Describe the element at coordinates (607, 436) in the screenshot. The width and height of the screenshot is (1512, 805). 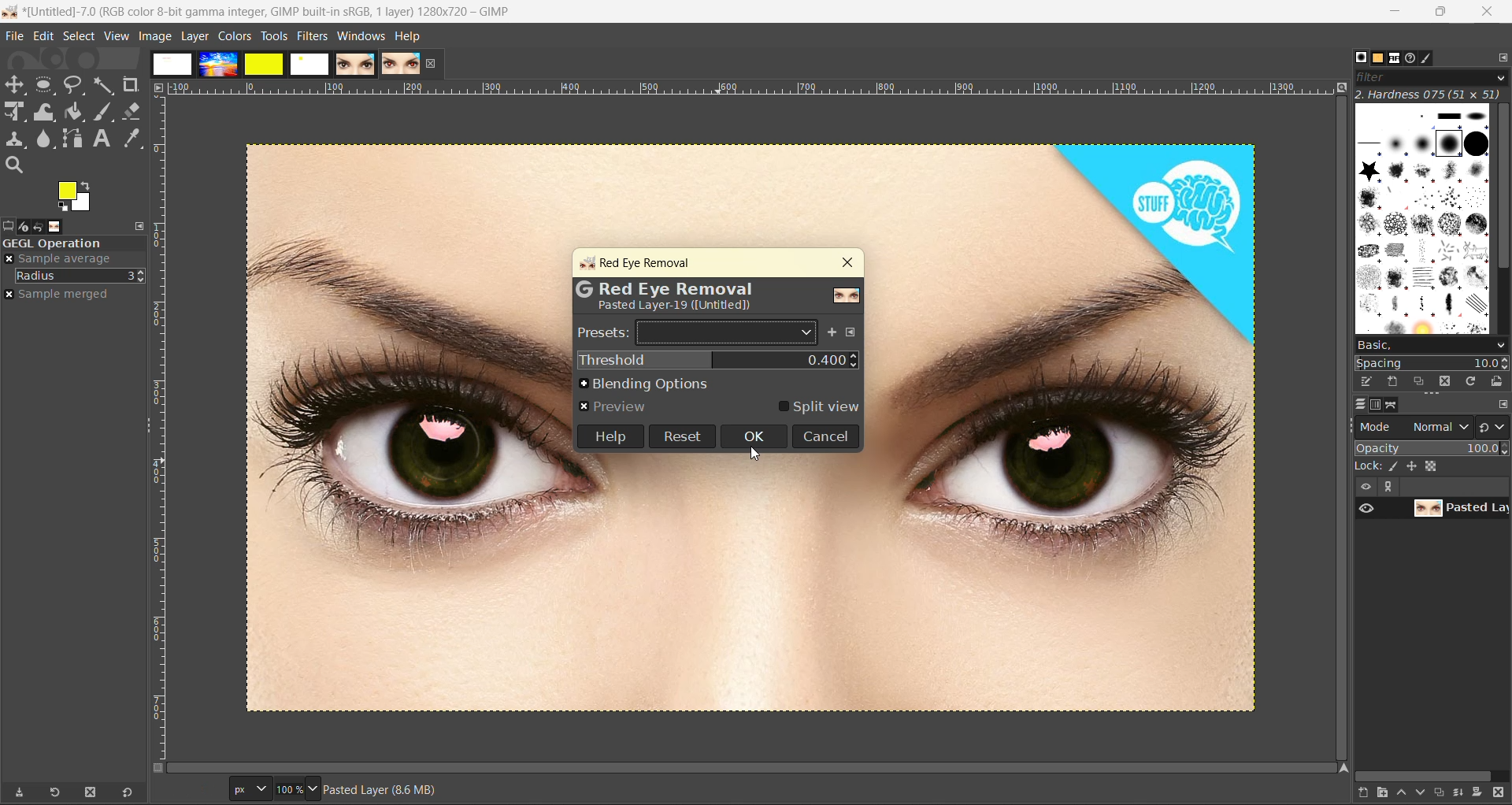
I see `help` at that location.